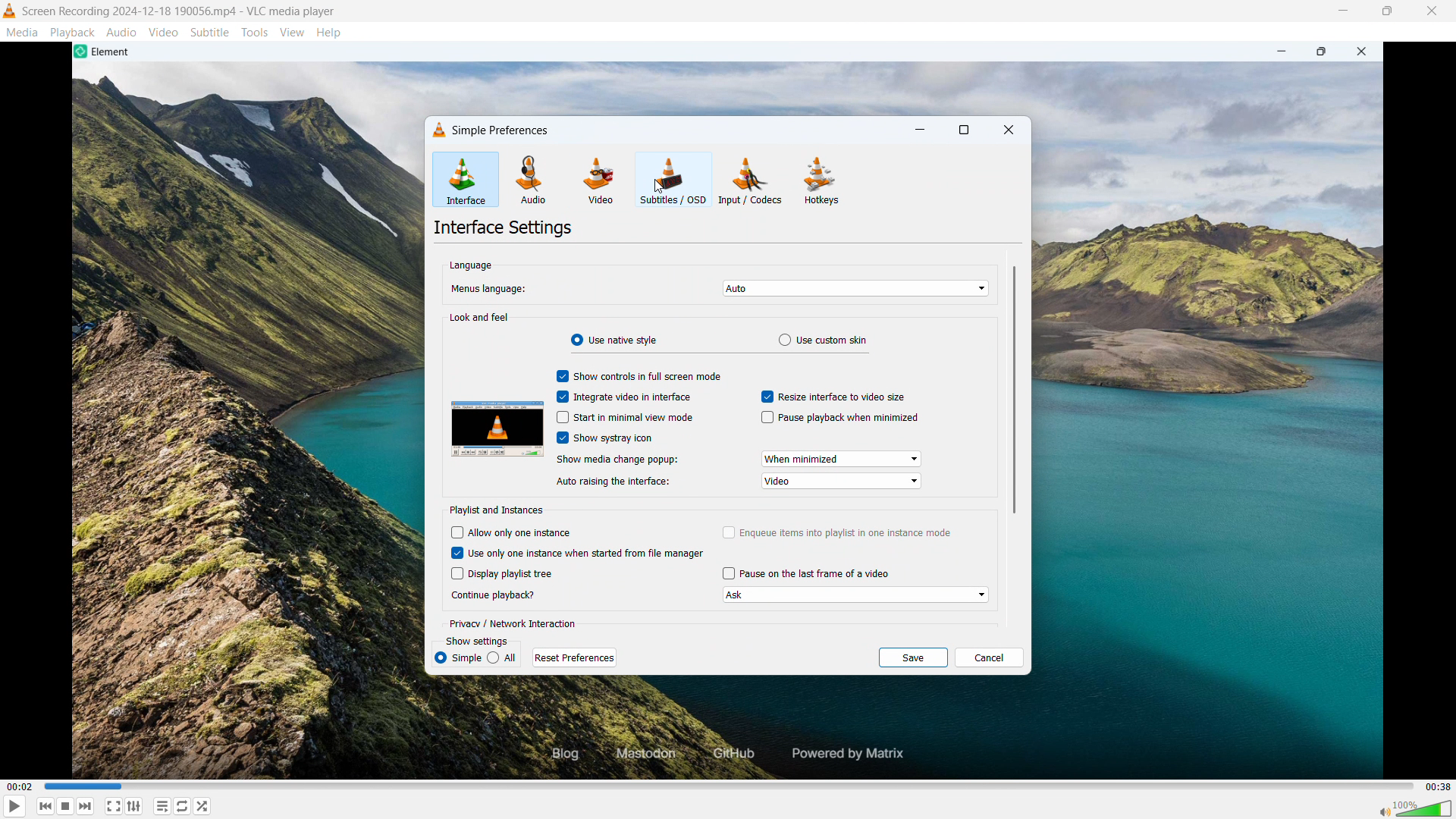 The height and width of the screenshot is (819, 1456). Describe the element at coordinates (616, 340) in the screenshot. I see `Use native style ` at that location.